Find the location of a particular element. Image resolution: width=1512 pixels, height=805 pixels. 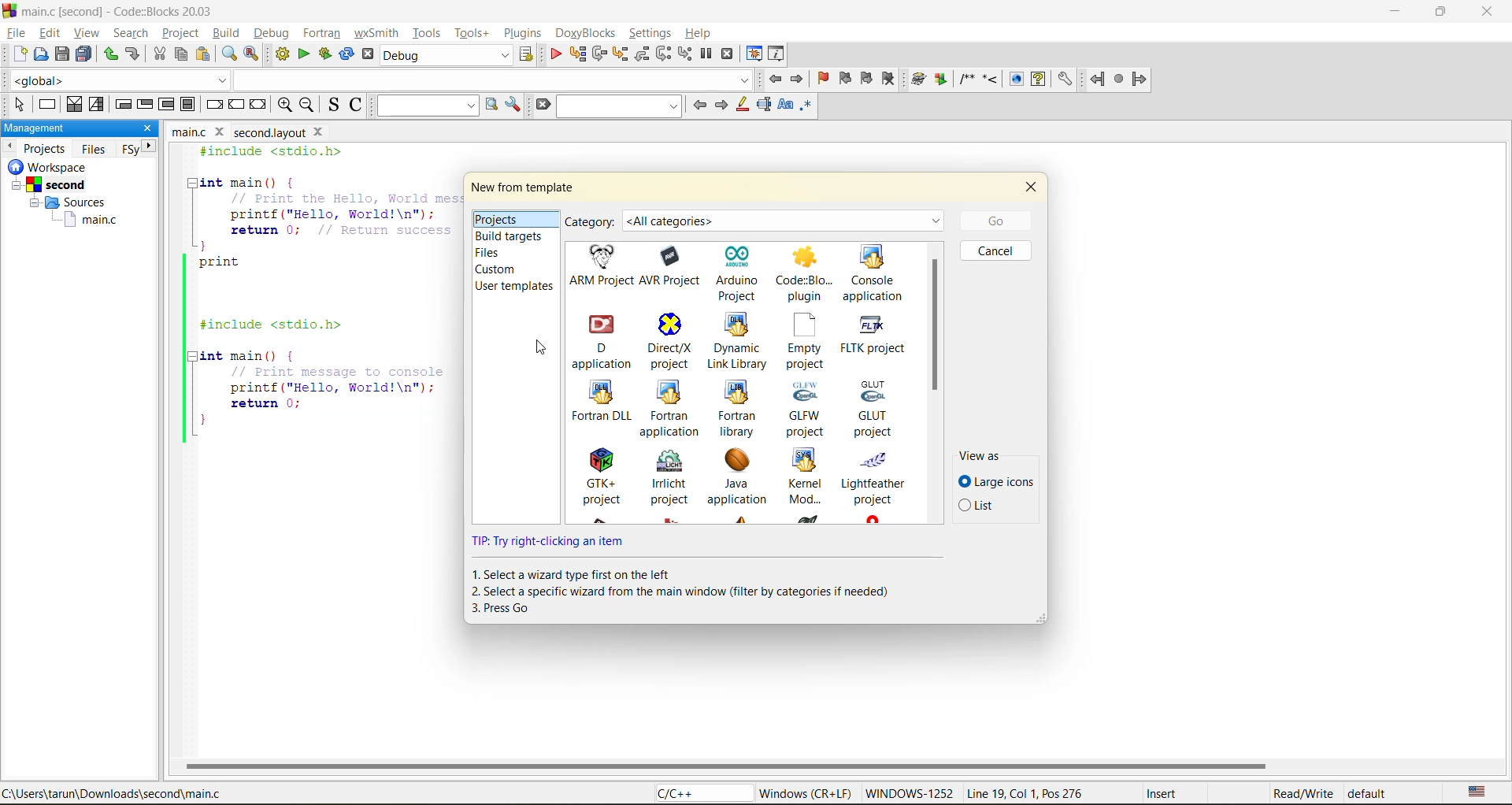

debug is located at coordinates (557, 53).